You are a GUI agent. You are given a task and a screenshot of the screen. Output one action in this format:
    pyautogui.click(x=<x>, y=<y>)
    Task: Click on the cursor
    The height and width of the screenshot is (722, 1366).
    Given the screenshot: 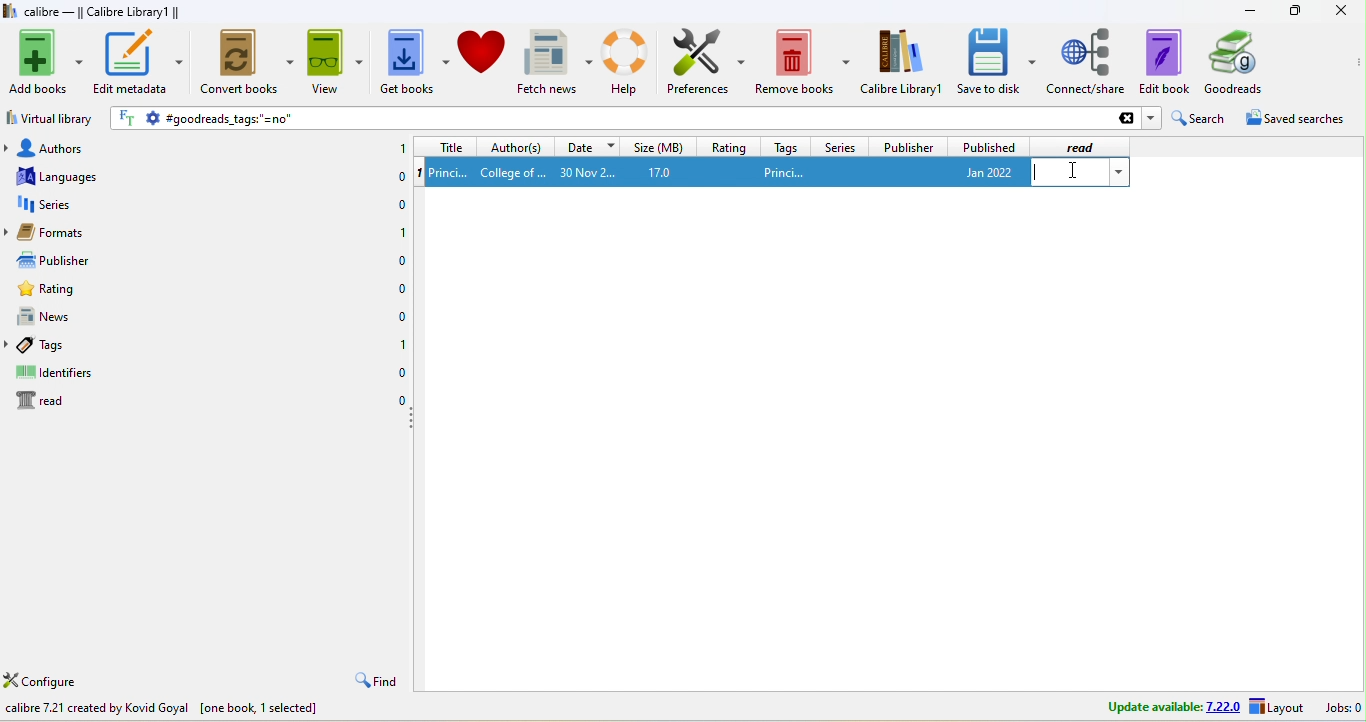 What is the action you would take?
    pyautogui.click(x=1073, y=170)
    